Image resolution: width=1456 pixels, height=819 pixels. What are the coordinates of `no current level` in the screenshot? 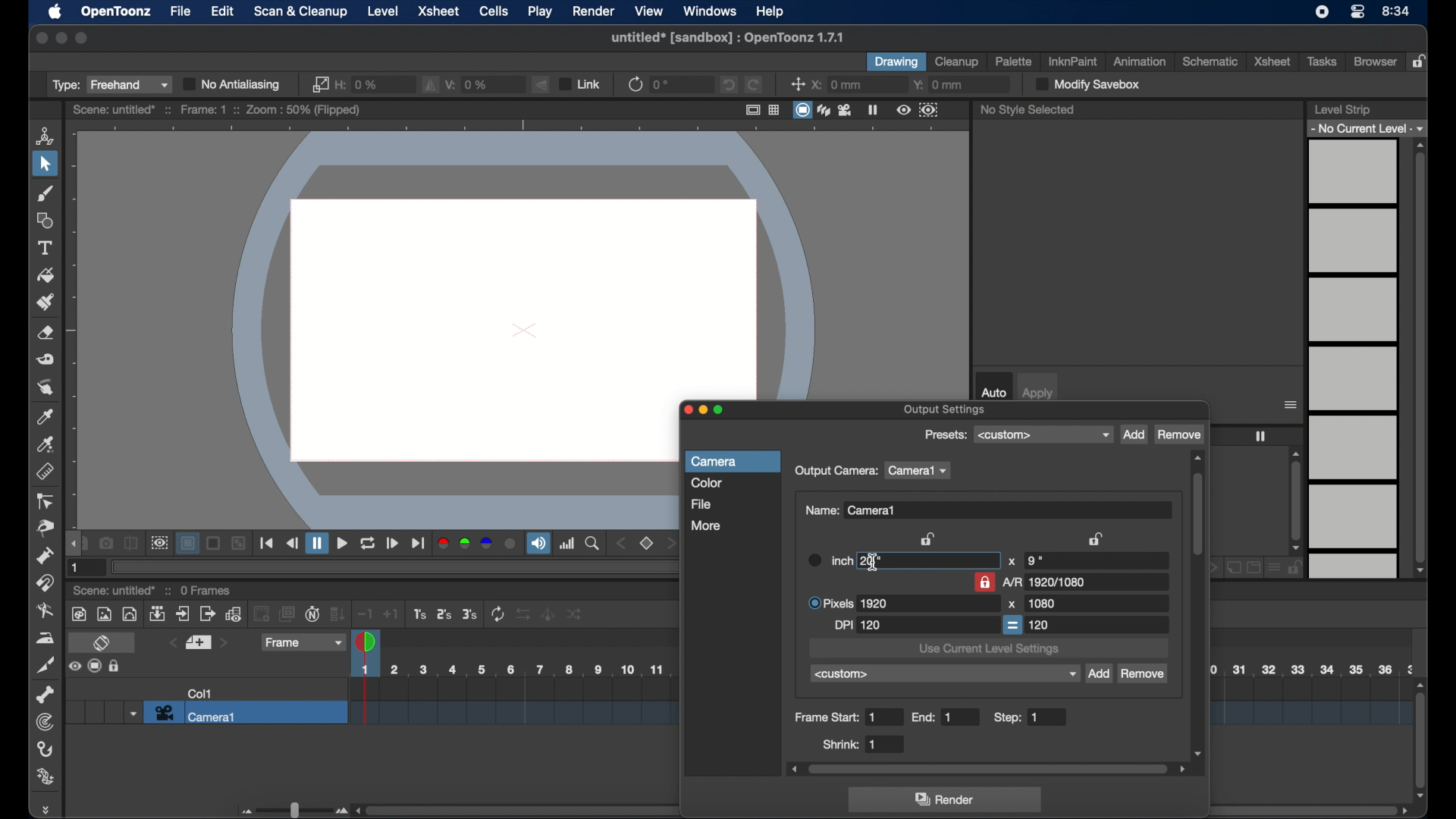 It's located at (1369, 127).